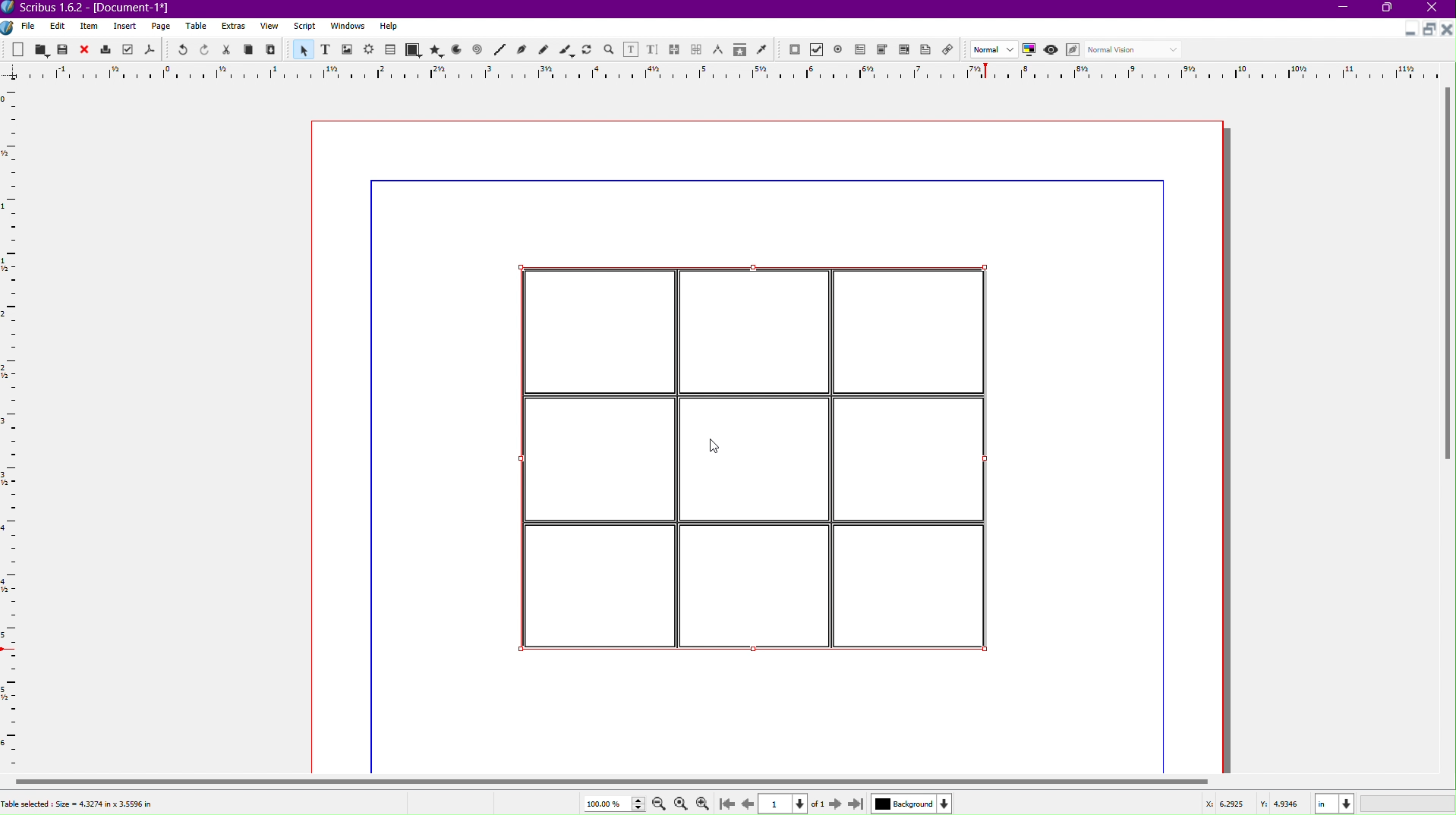 The height and width of the screenshot is (815, 1456). What do you see at coordinates (19, 49) in the screenshot?
I see `New` at bounding box center [19, 49].